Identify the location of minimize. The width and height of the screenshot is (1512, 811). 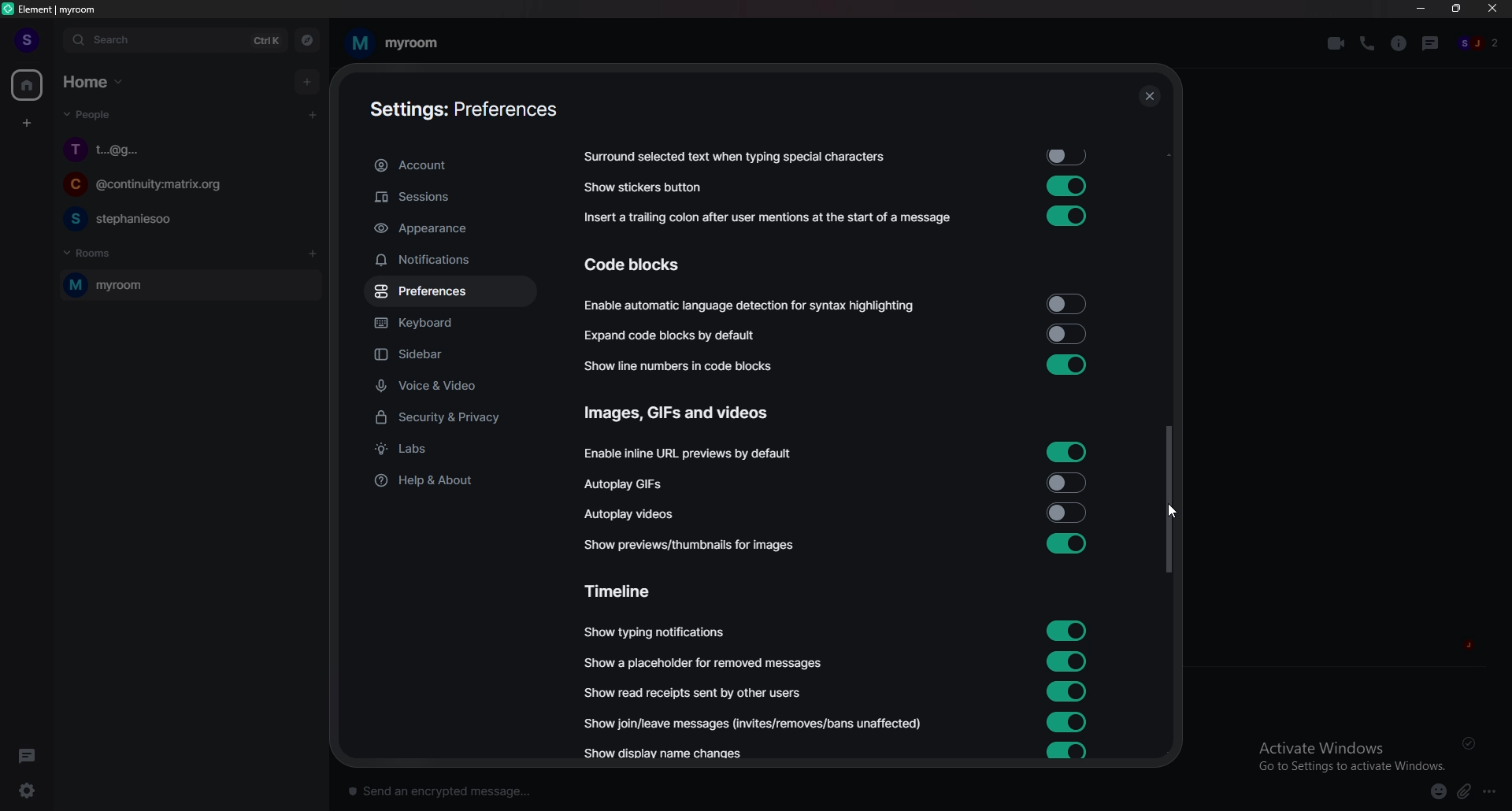
(1421, 9).